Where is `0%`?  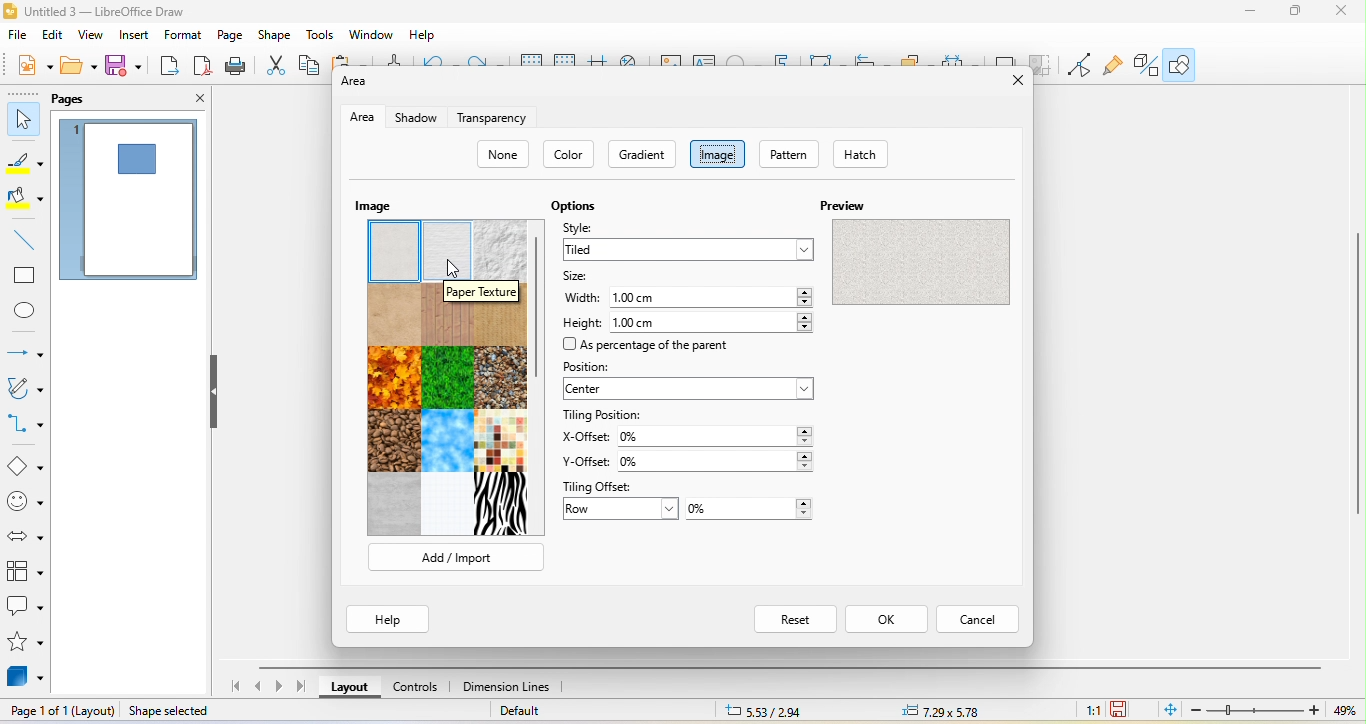 0% is located at coordinates (714, 462).